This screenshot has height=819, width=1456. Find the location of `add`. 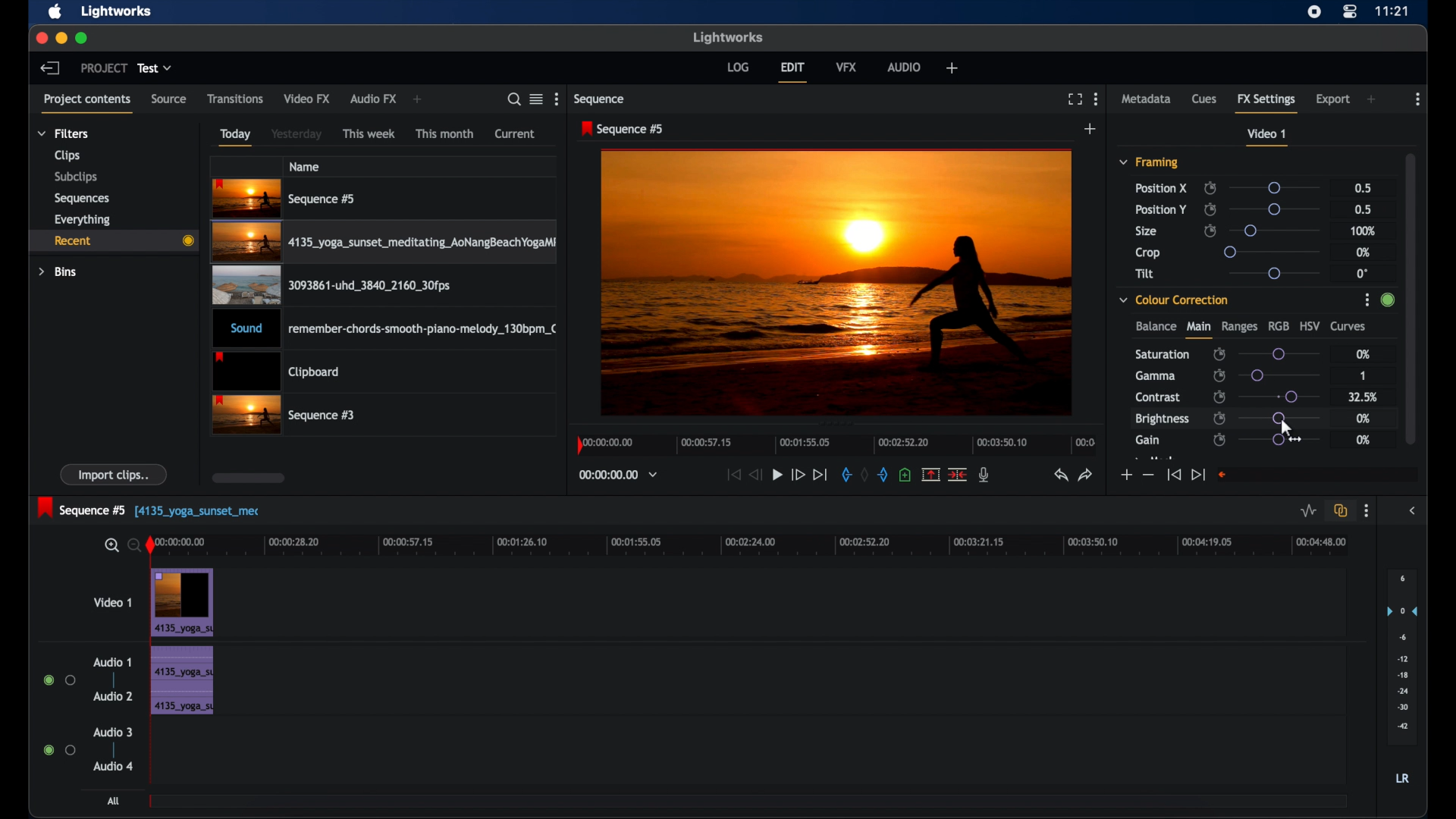

add is located at coordinates (952, 67).